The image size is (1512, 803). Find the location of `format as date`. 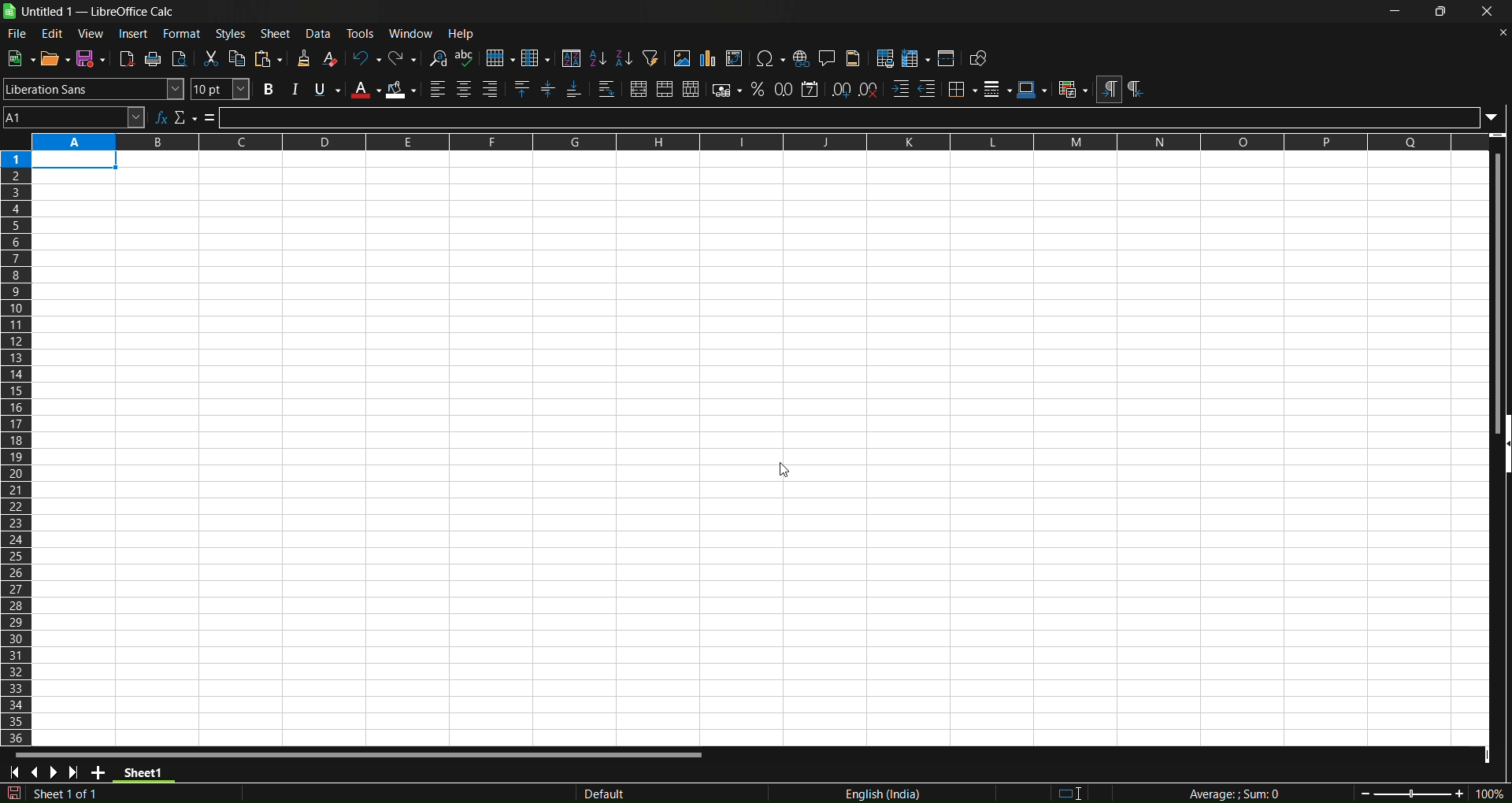

format as date is located at coordinates (811, 89).